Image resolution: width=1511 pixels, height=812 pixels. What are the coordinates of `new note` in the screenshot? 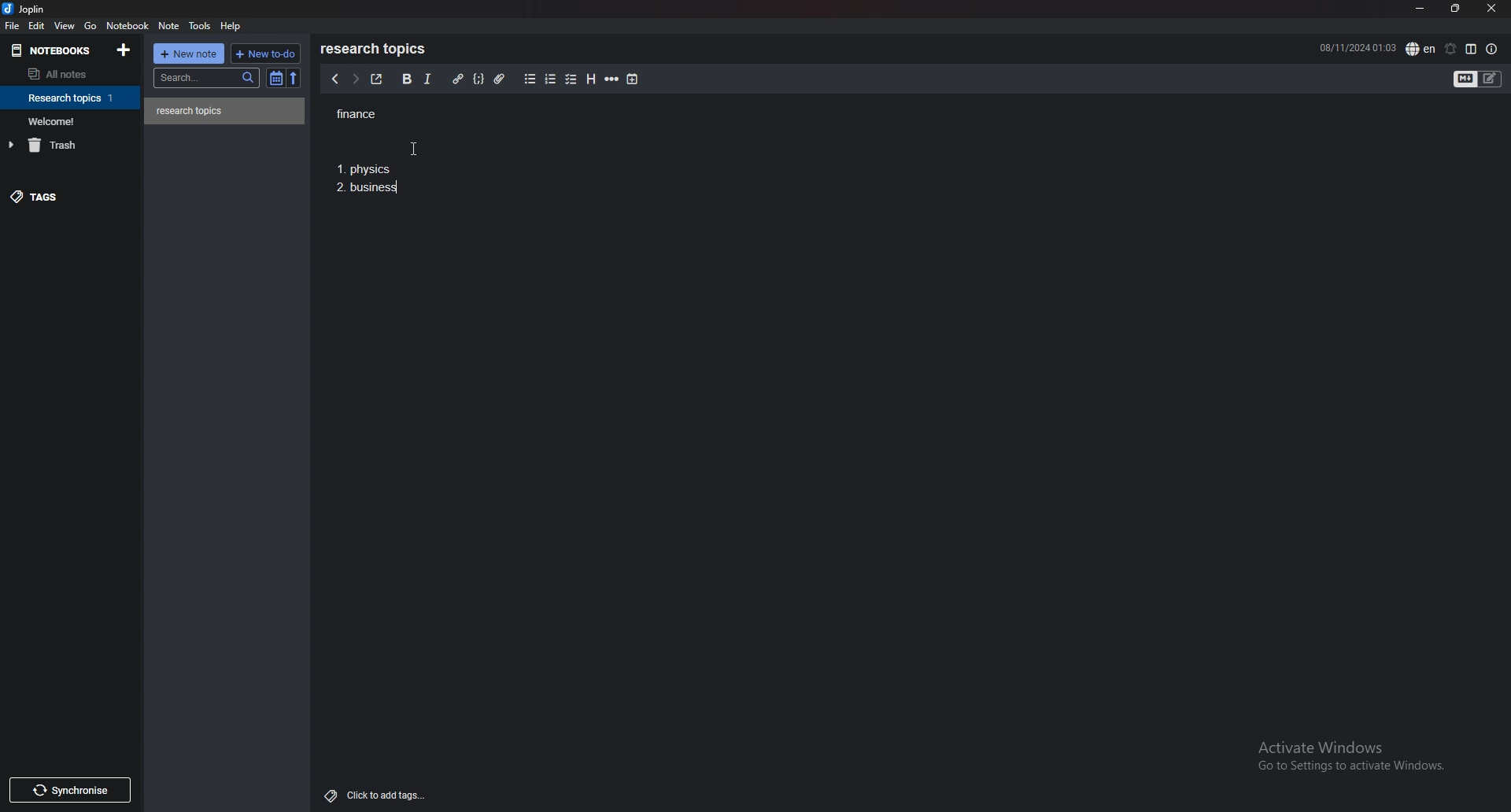 It's located at (190, 53).